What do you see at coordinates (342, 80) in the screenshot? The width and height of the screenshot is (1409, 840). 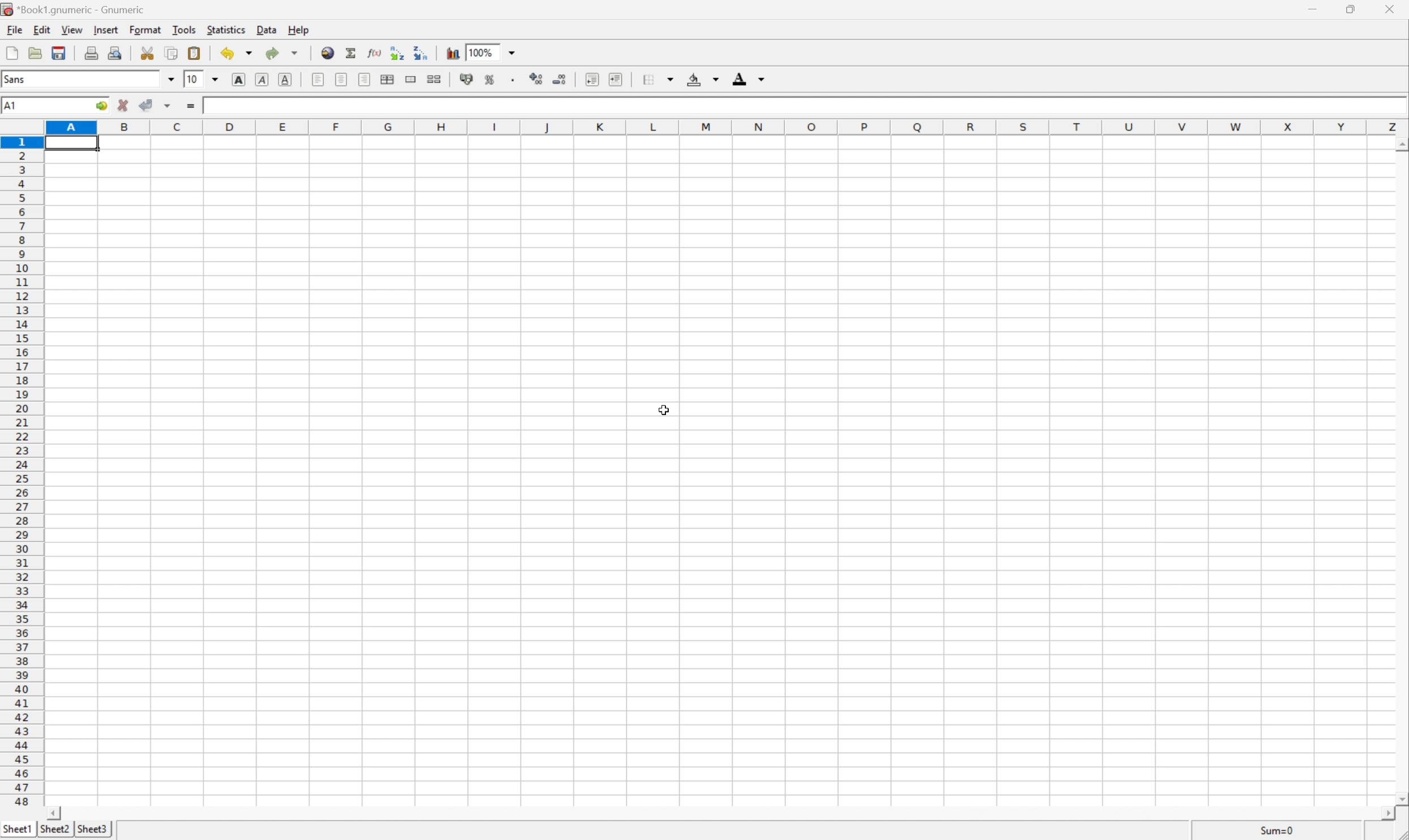 I see `Center Horizontally` at bounding box center [342, 80].